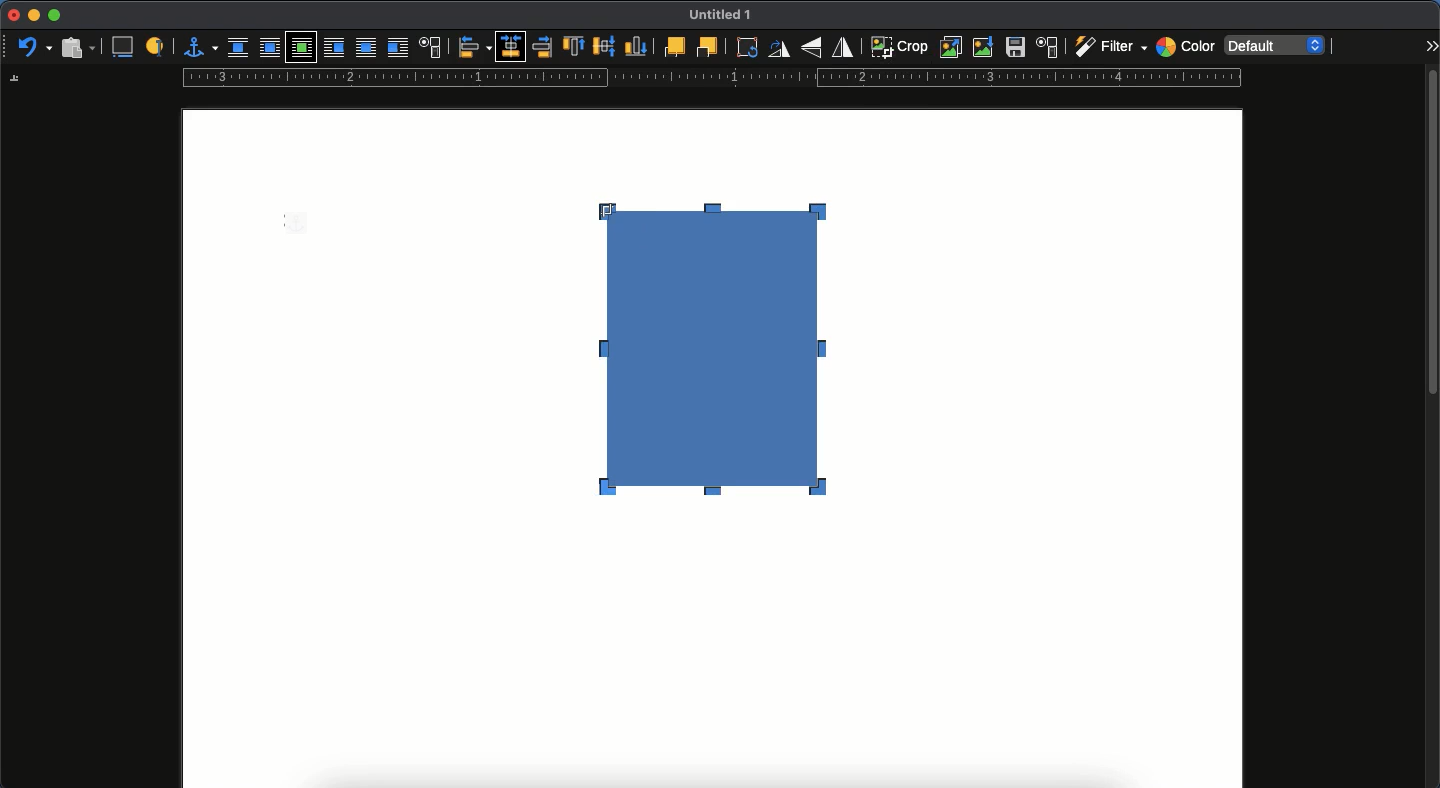 The width and height of the screenshot is (1440, 788). I want to click on after, so click(397, 50).